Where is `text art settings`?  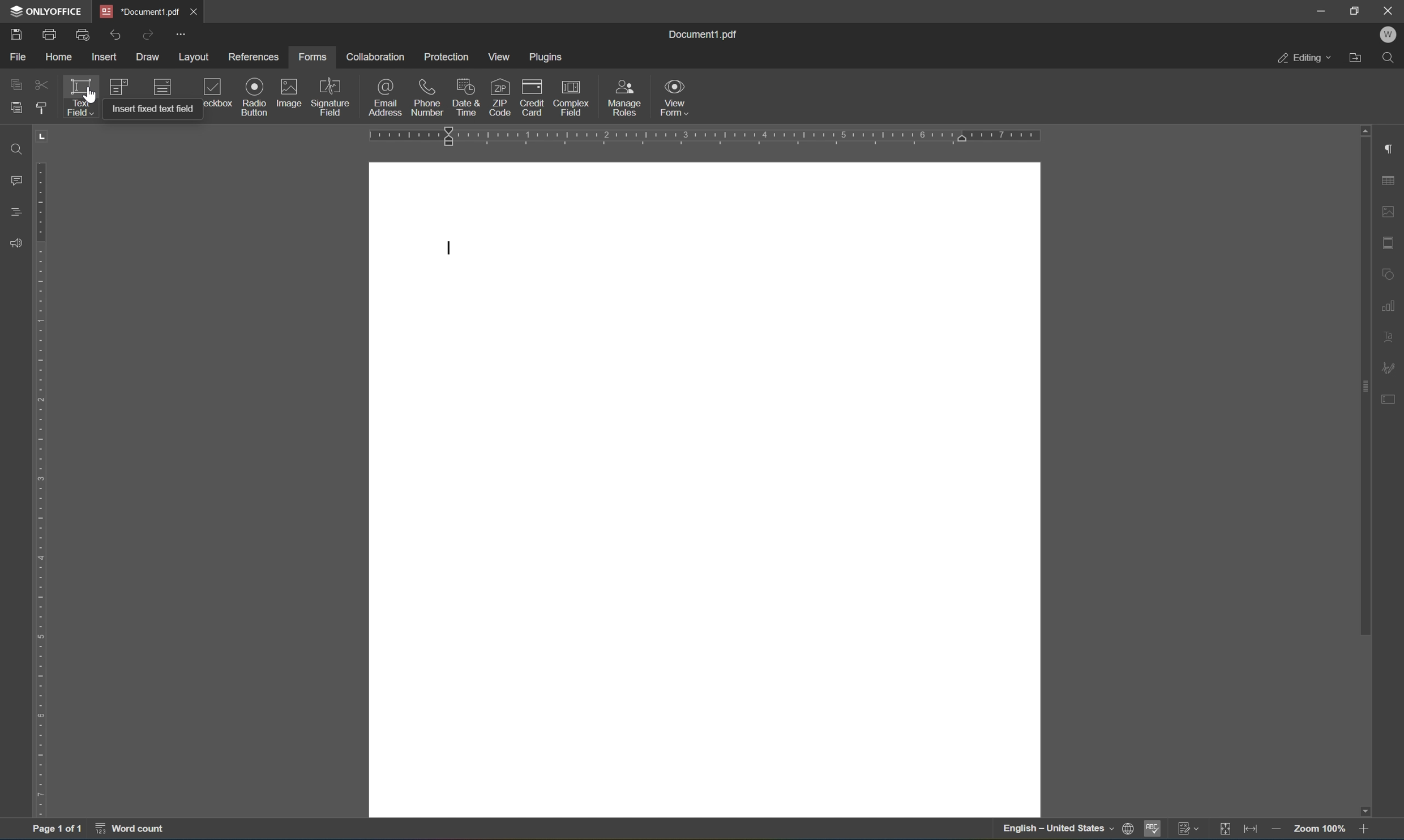
text art settings is located at coordinates (1388, 340).